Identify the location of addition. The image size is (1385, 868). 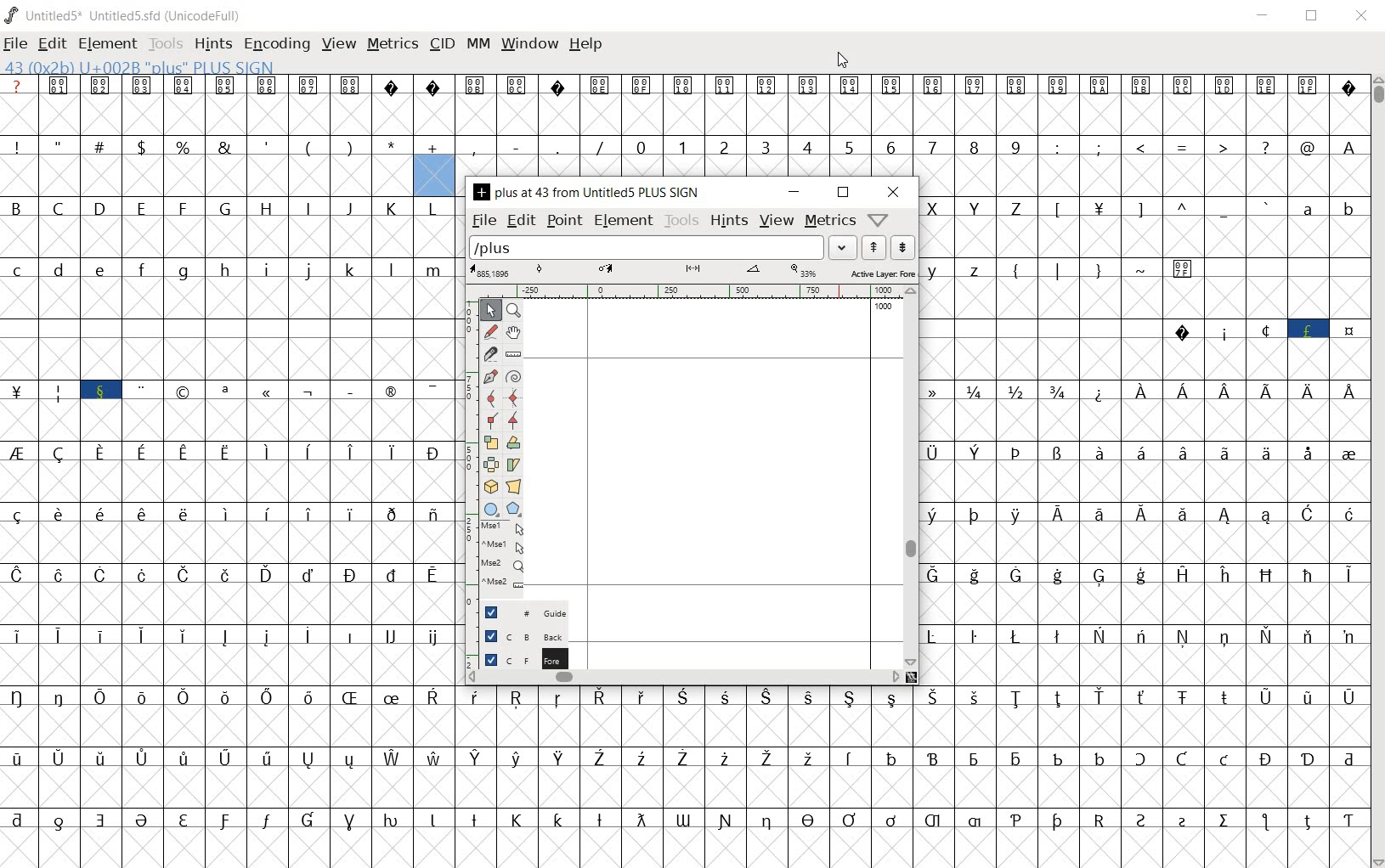
(434, 165).